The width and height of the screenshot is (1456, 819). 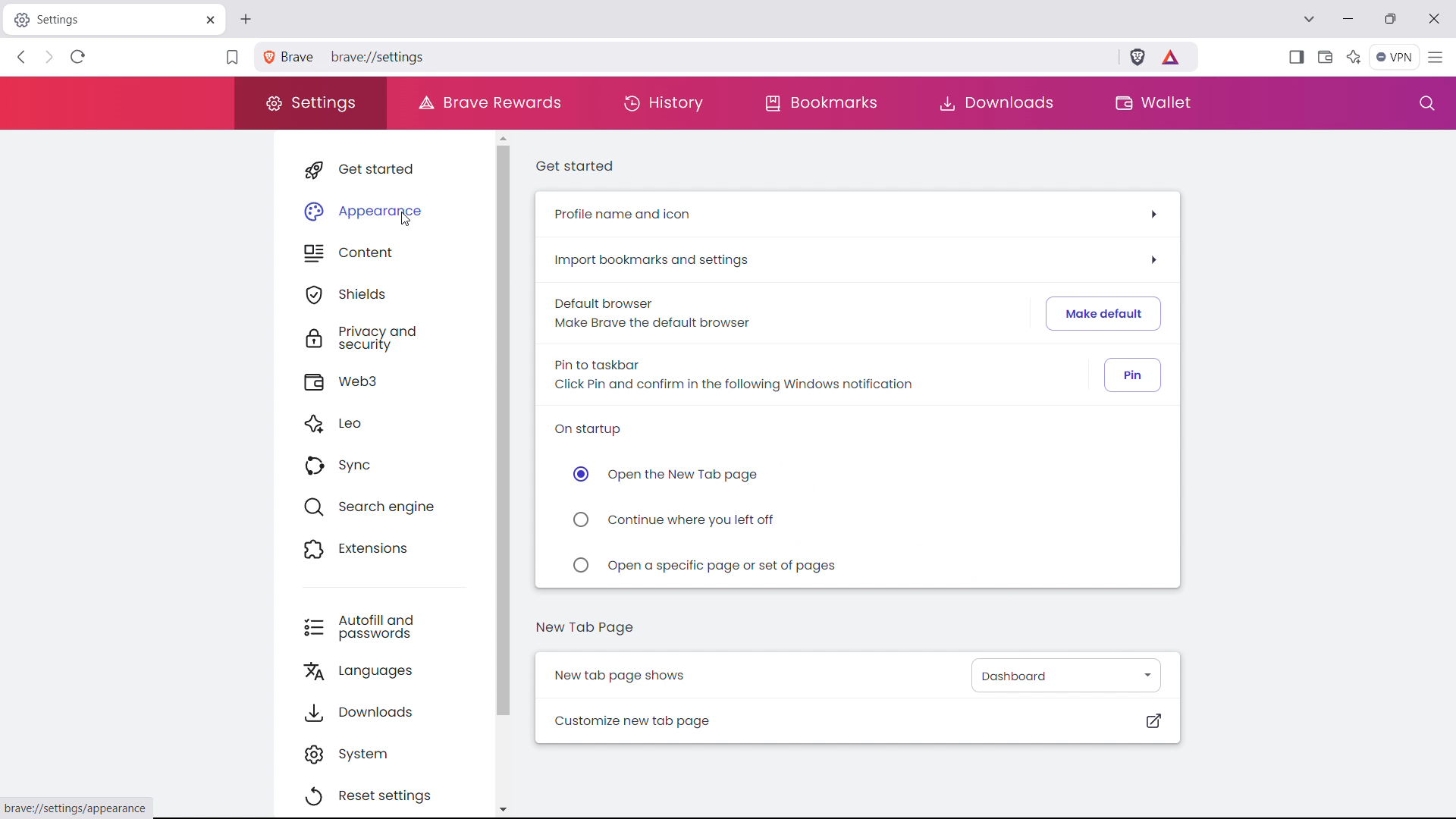 What do you see at coordinates (1326, 56) in the screenshot?
I see `wallet` at bounding box center [1326, 56].